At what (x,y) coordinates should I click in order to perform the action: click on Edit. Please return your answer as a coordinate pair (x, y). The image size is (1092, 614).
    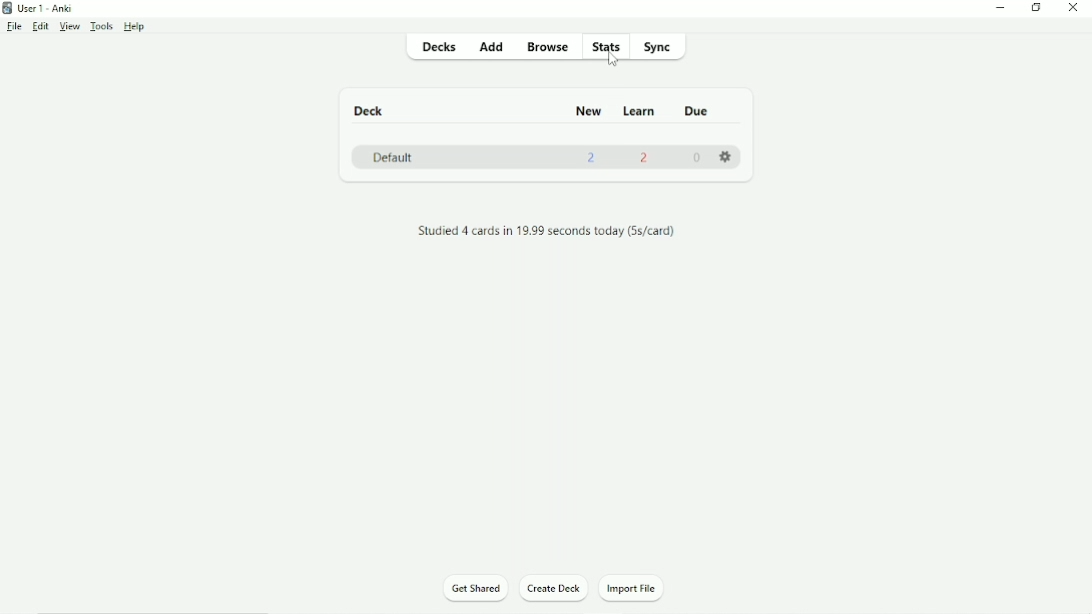
    Looking at the image, I should click on (41, 27).